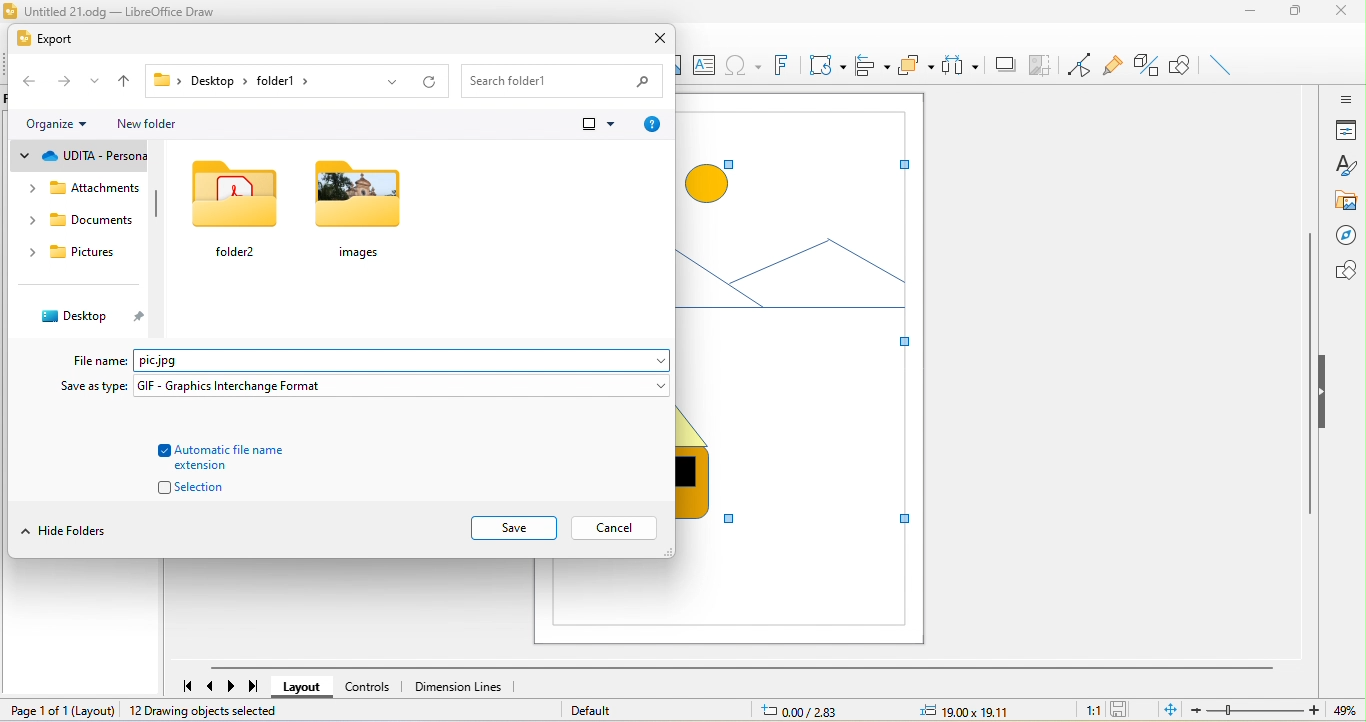 The image size is (1366, 722). Describe the element at coordinates (233, 686) in the screenshot. I see `next` at that location.